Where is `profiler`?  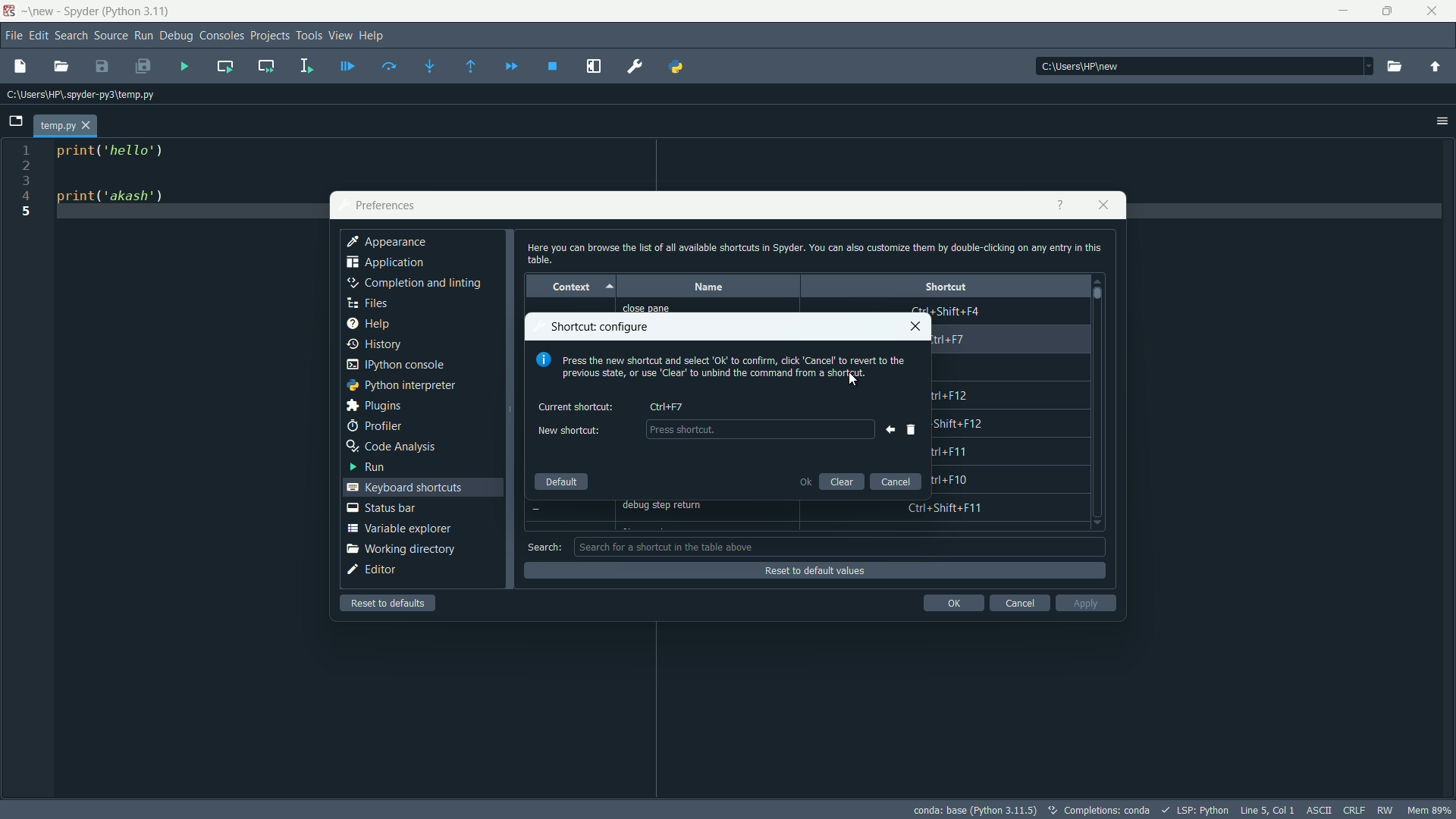
profiler is located at coordinates (374, 426).